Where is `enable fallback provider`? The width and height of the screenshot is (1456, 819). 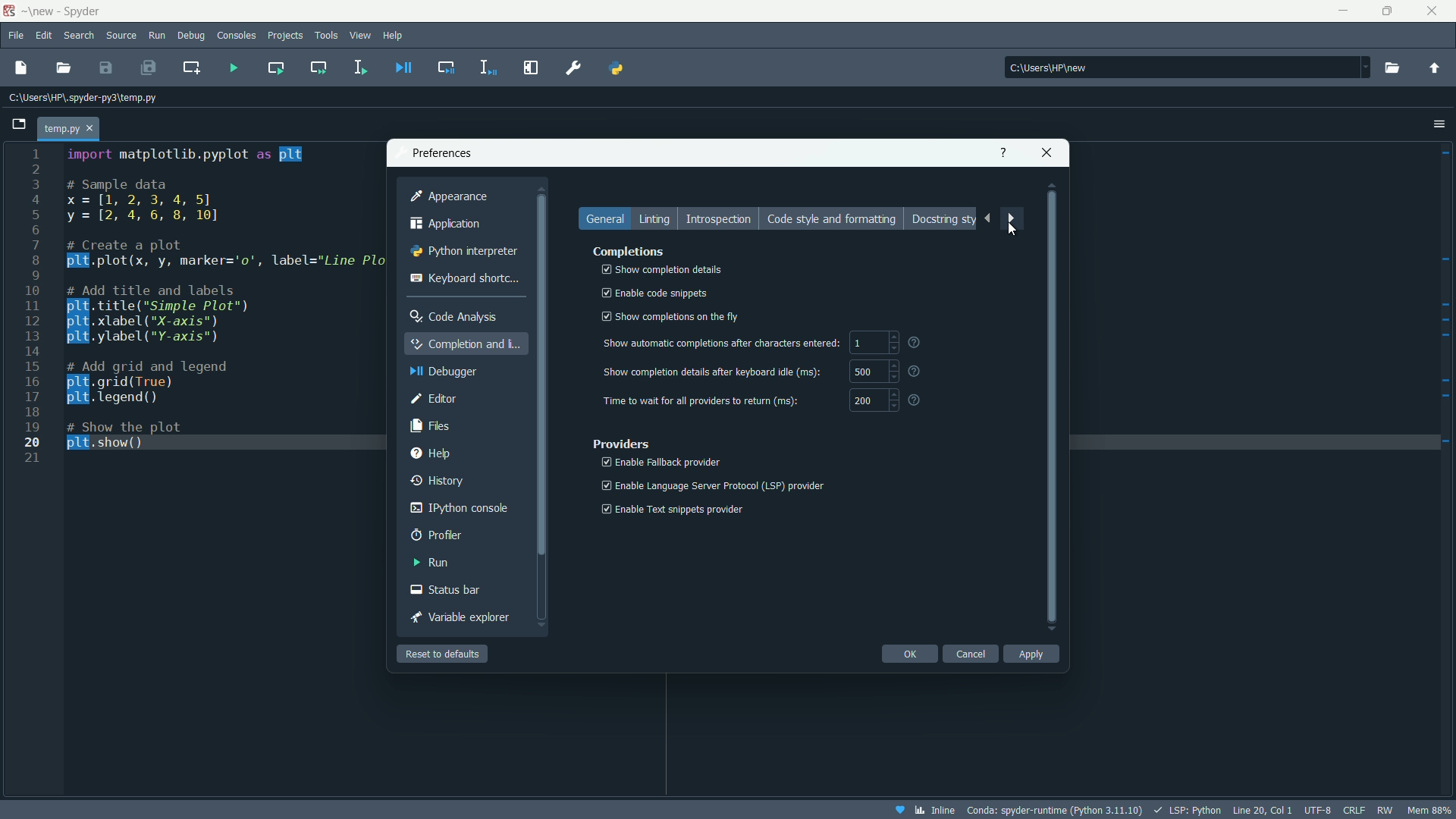 enable fallback provider is located at coordinates (658, 462).